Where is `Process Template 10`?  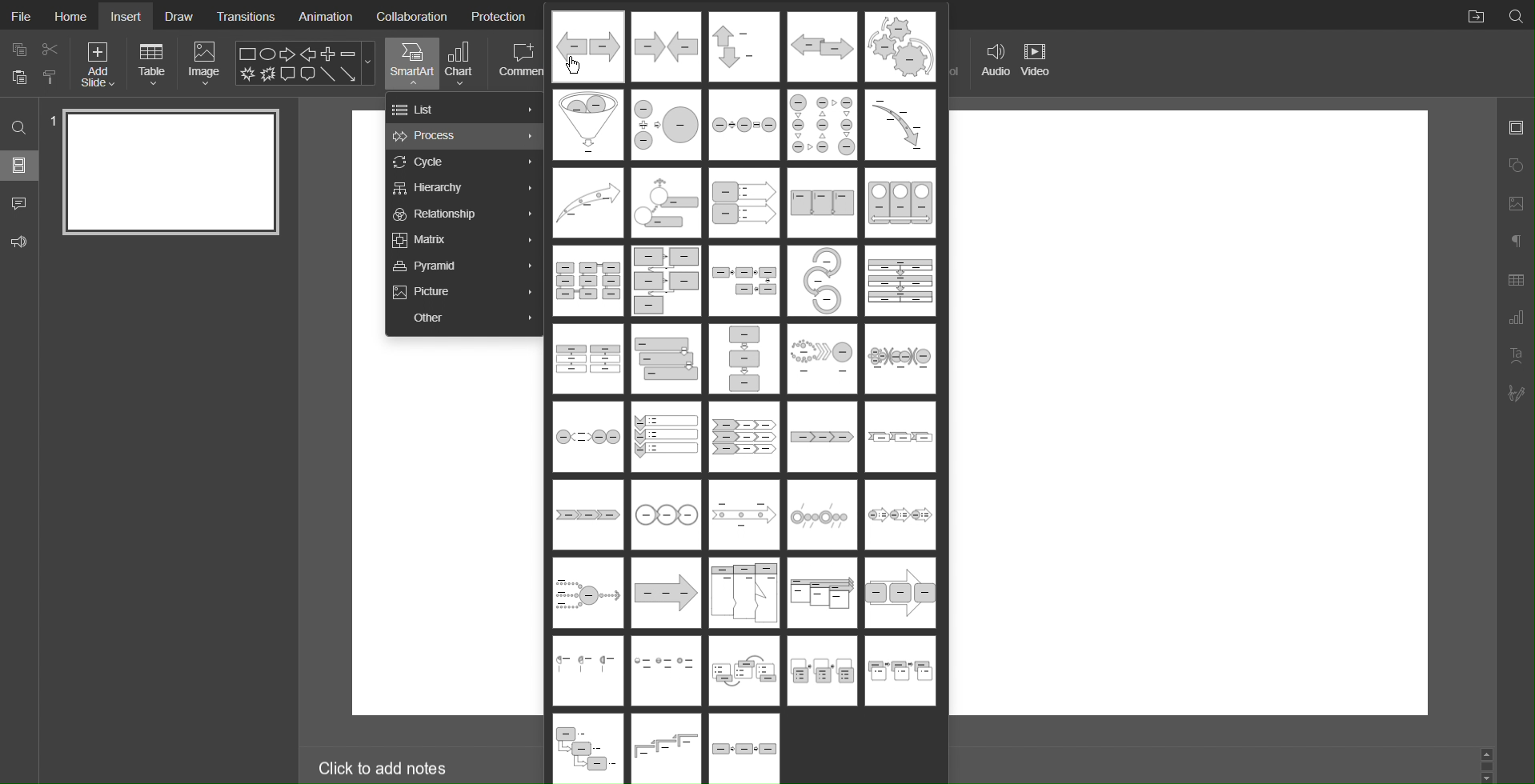 Process Template 10 is located at coordinates (900, 126).